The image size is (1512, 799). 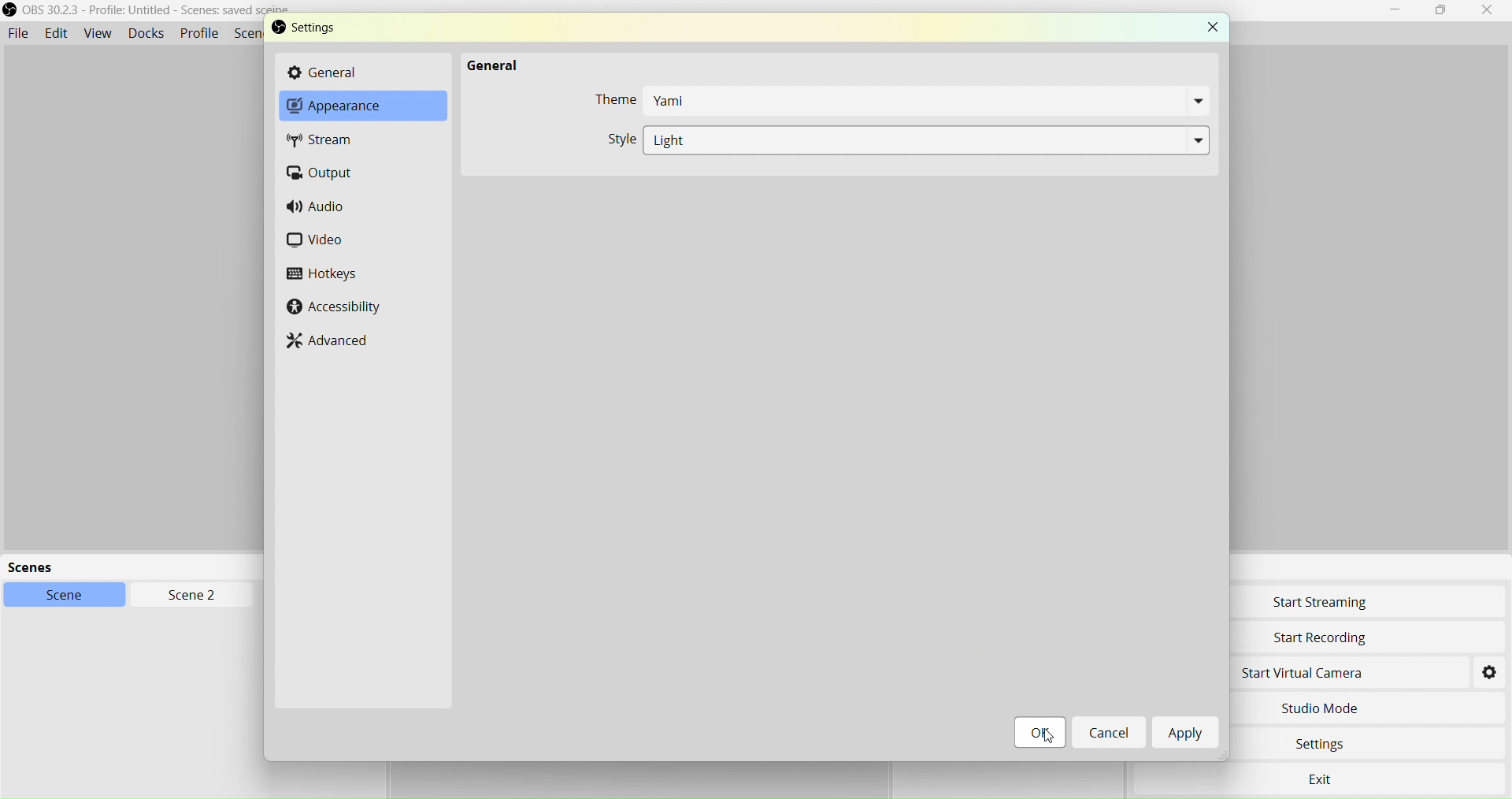 What do you see at coordinates (335, 307) in the screenshot?
I see `Accesibility` at bounding box center [335, 307].